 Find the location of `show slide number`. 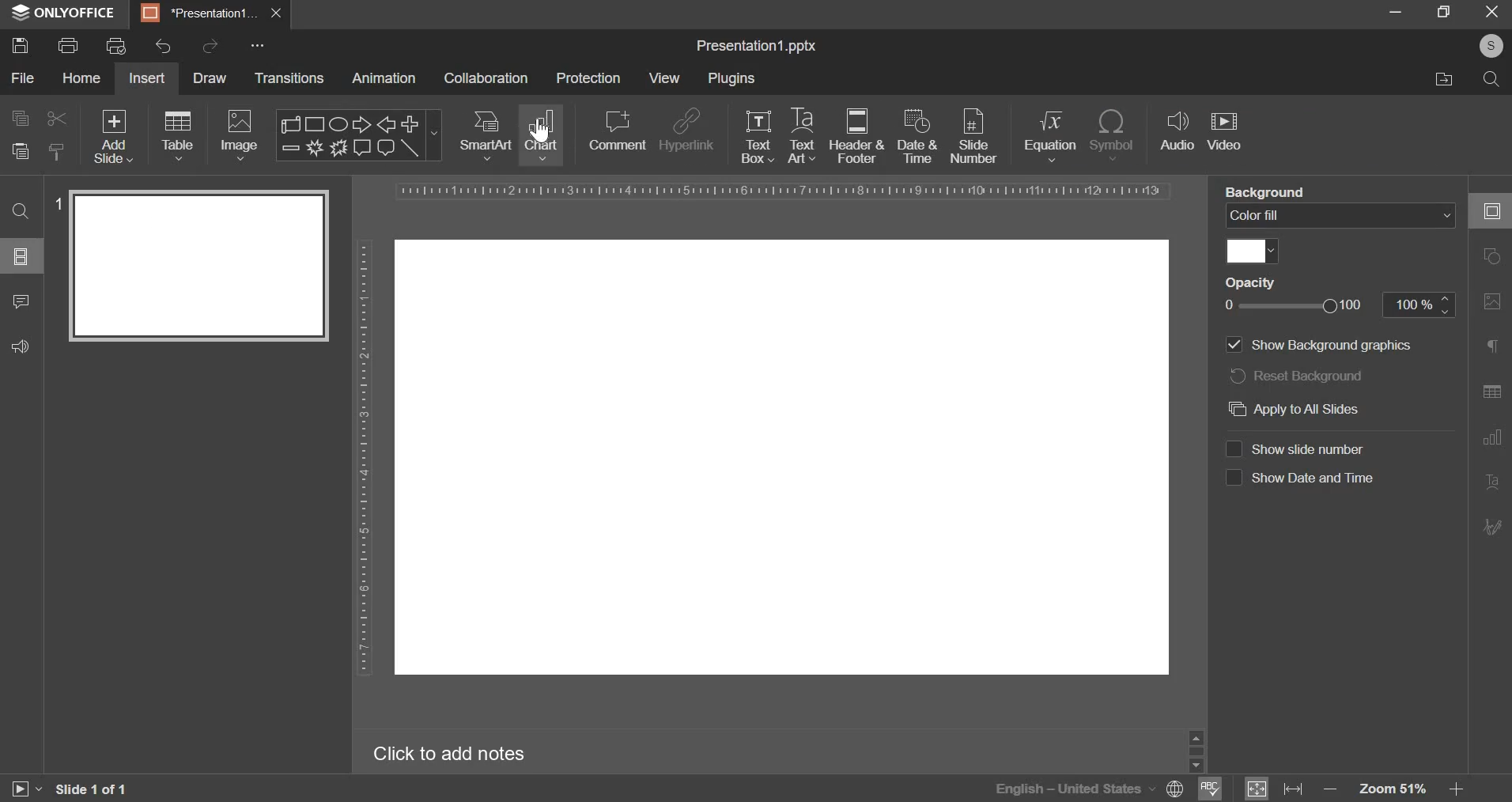

show slide number is located at coordinates (1308, 449).